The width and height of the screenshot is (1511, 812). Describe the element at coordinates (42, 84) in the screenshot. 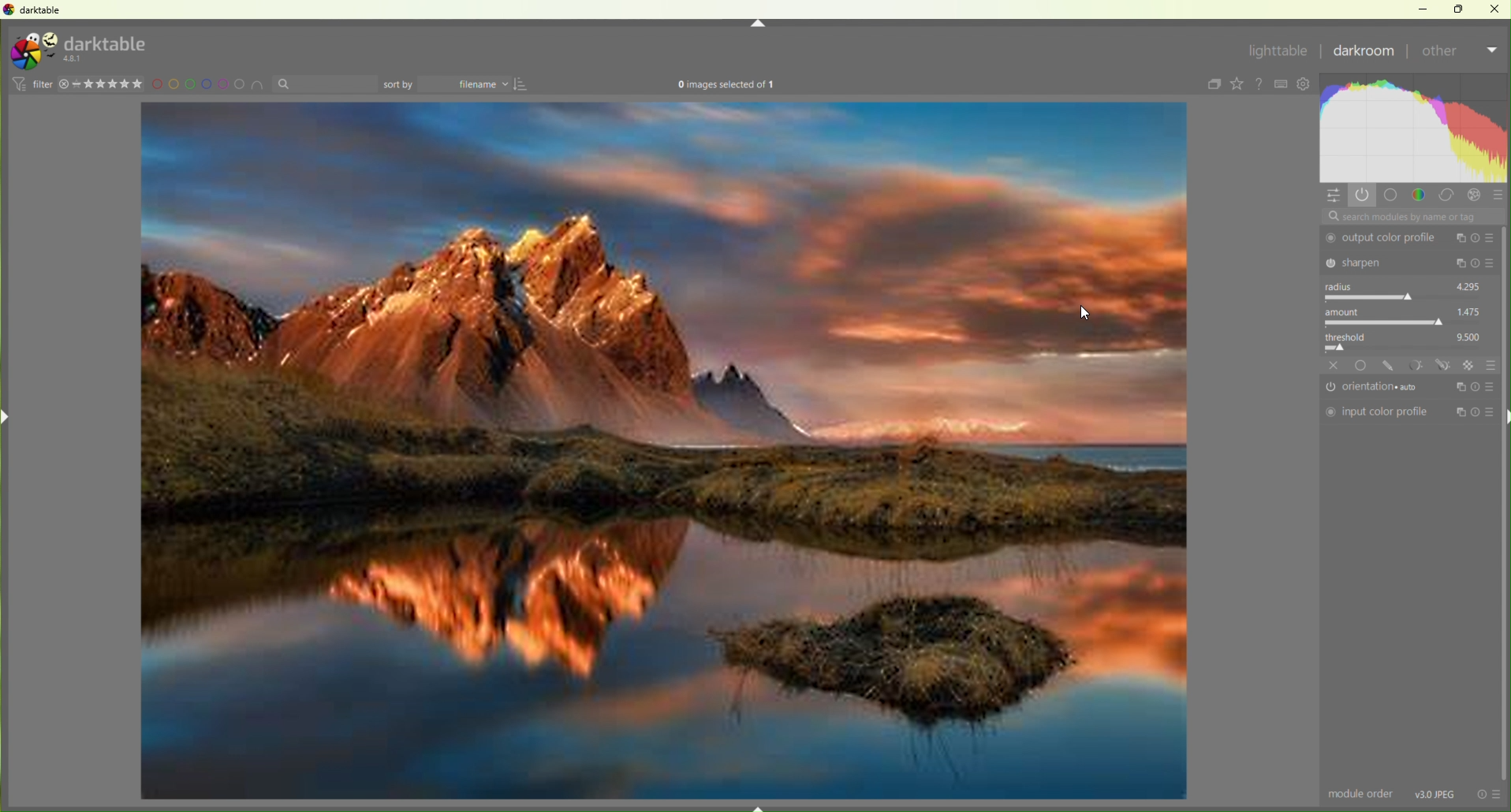

I see `filter` at that location.